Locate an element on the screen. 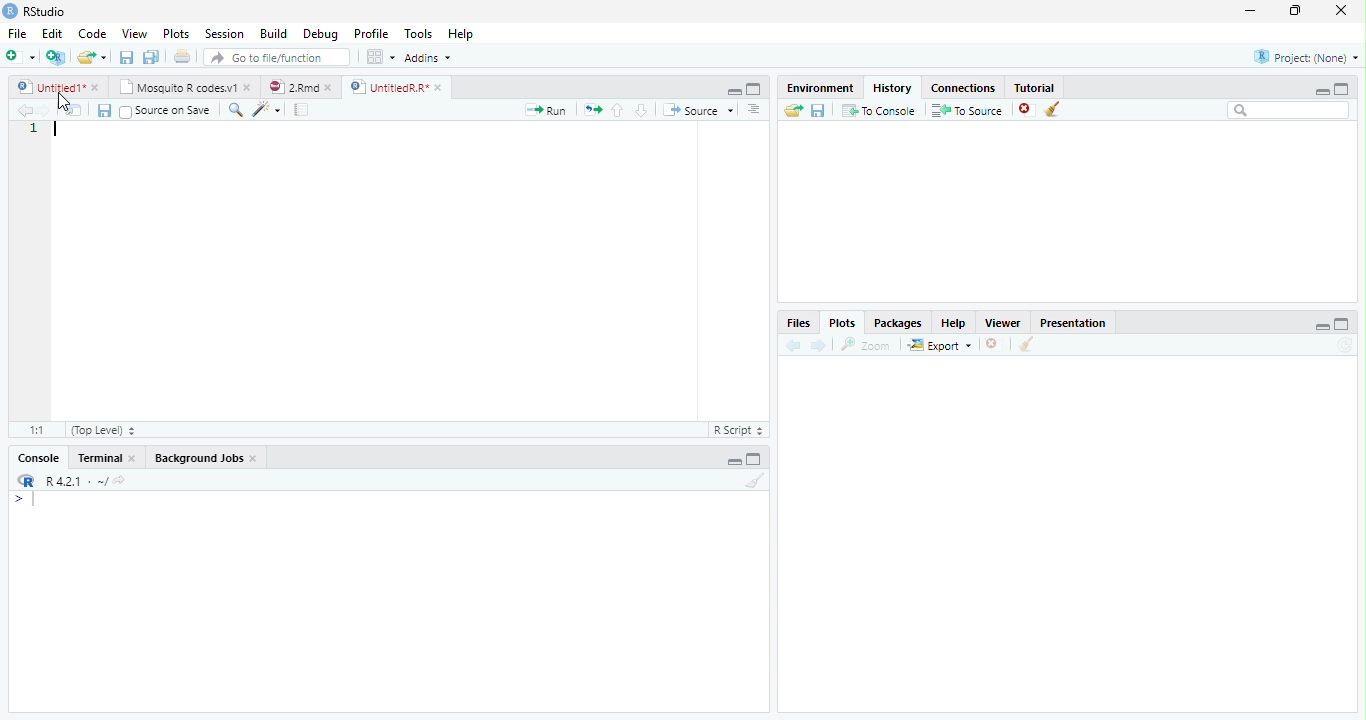 The width and height of the screenshot is (1366, 720). Maximize is located at coordinates (754, 89).